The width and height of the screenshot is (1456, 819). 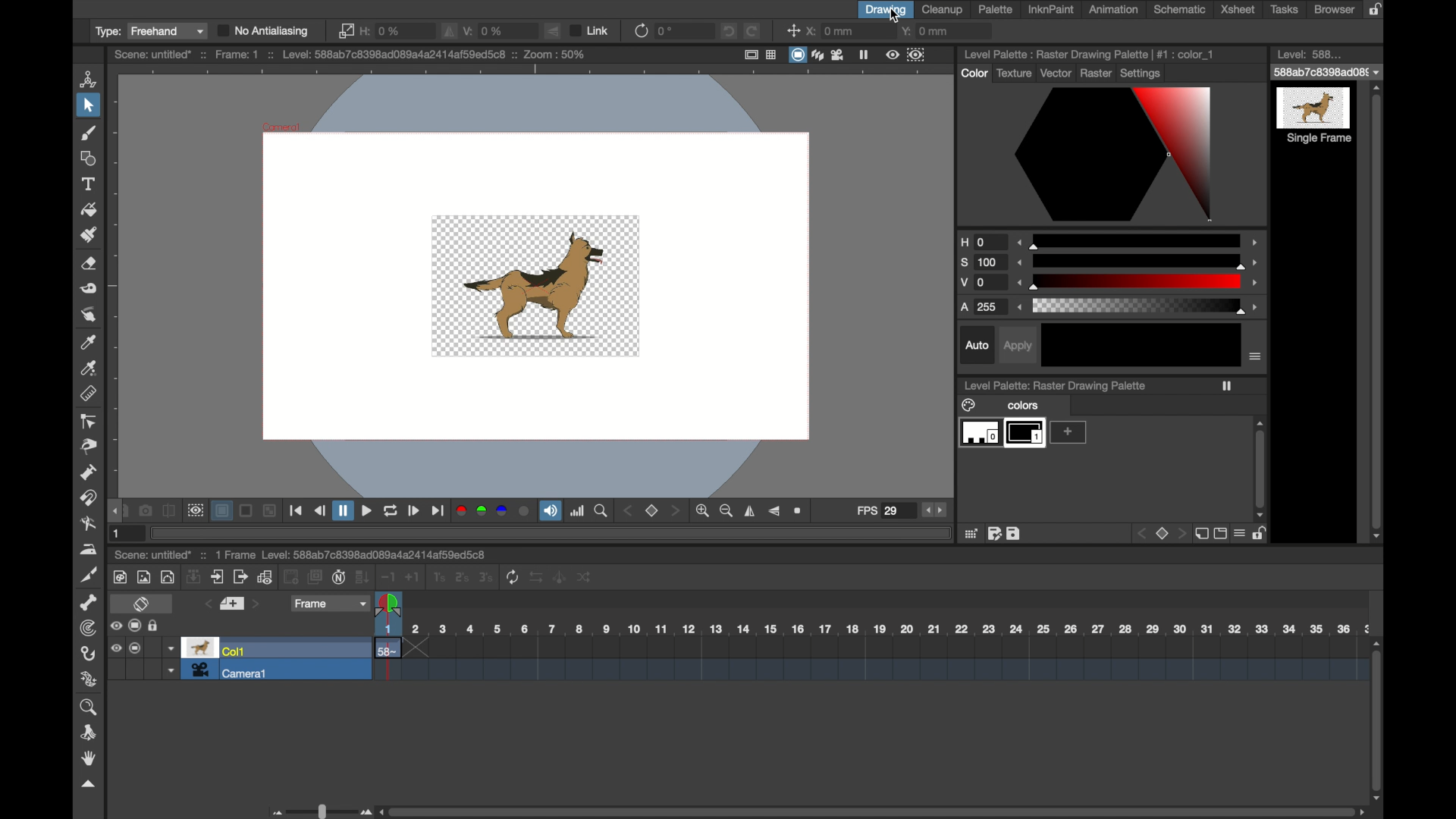 What do you see at coordinates (1111, 535) in the screenshot?
I see `more options` at bounding box center [1111, 535].